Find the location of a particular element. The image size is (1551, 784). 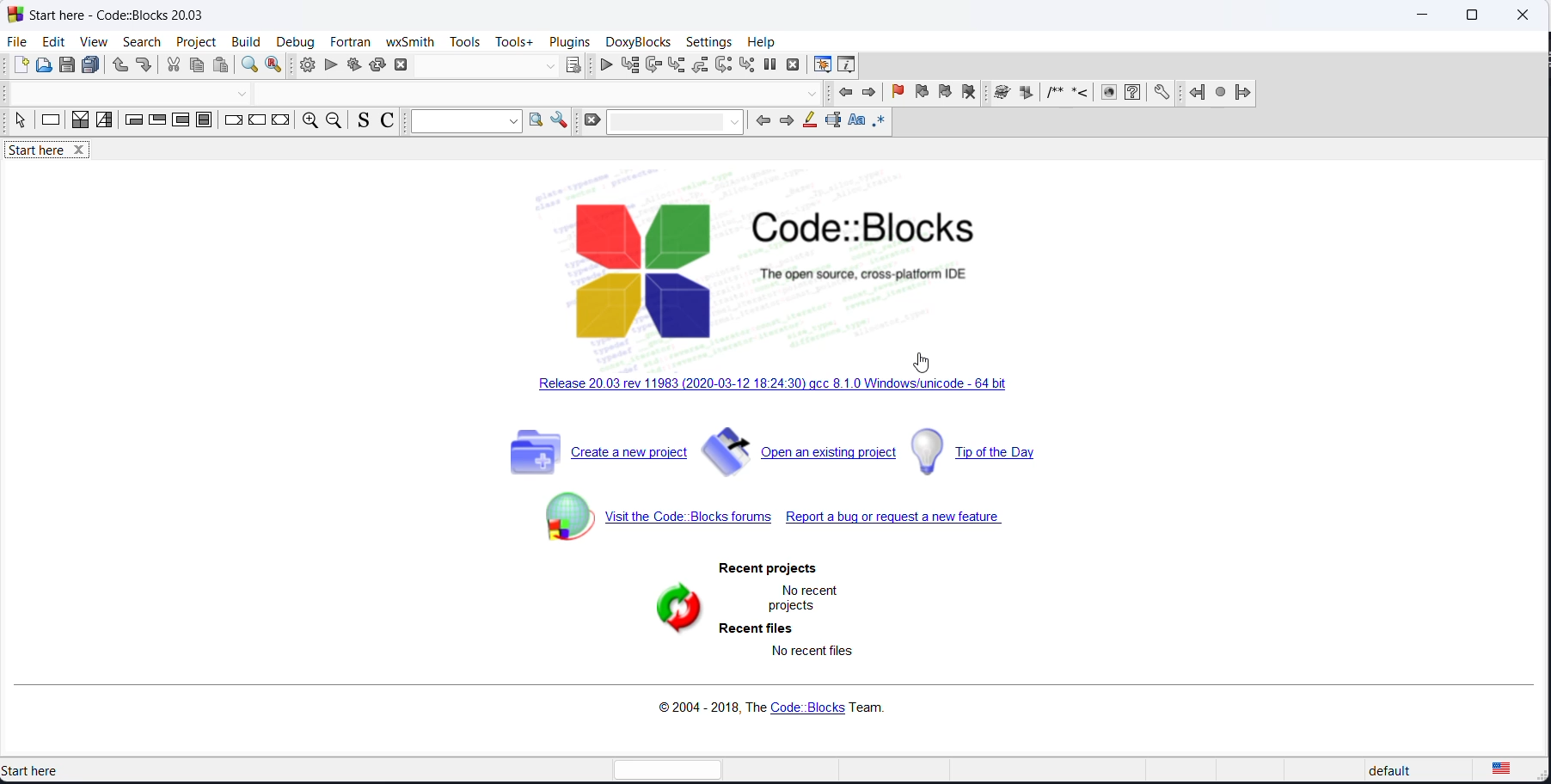

copy is located at coordinates (199, 67).